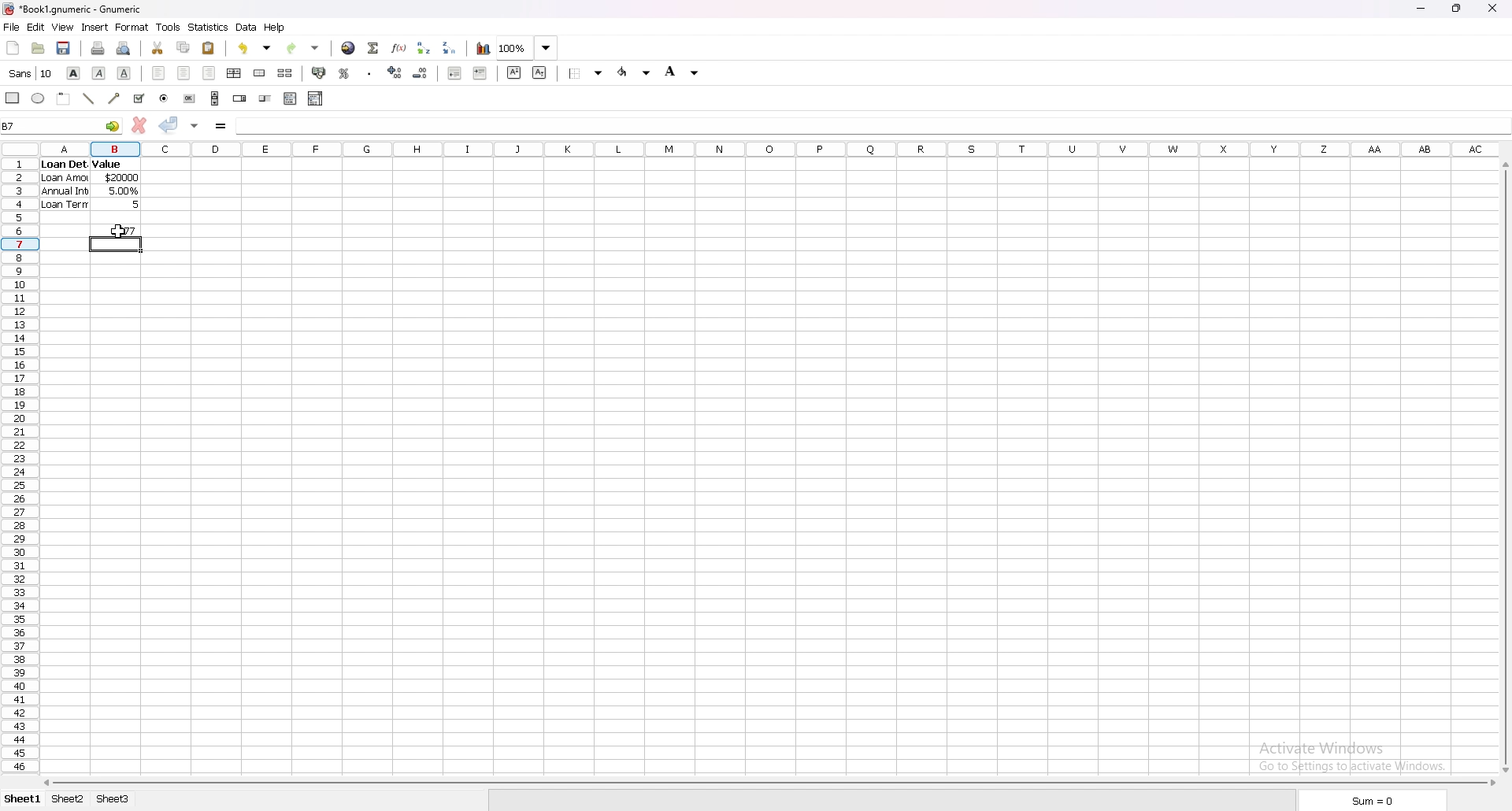 The width and height of the screenshot is (1512, 811). Describe the element at coordinates (343, 73) in the screenshot. I see `percentage` at that location.